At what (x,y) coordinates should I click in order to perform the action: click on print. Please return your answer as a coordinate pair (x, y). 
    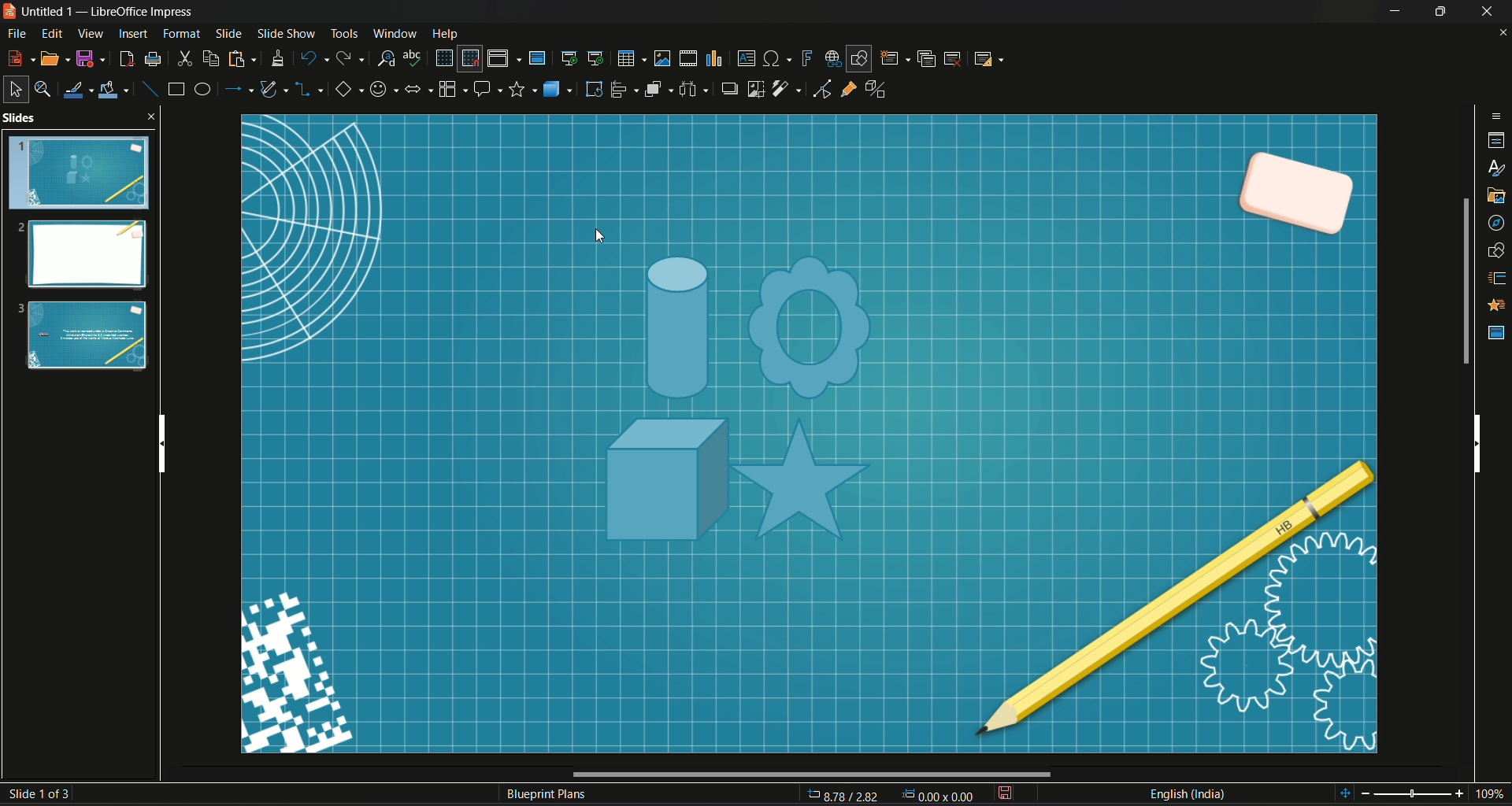
    Looking at the image, I should click on (153, 59).